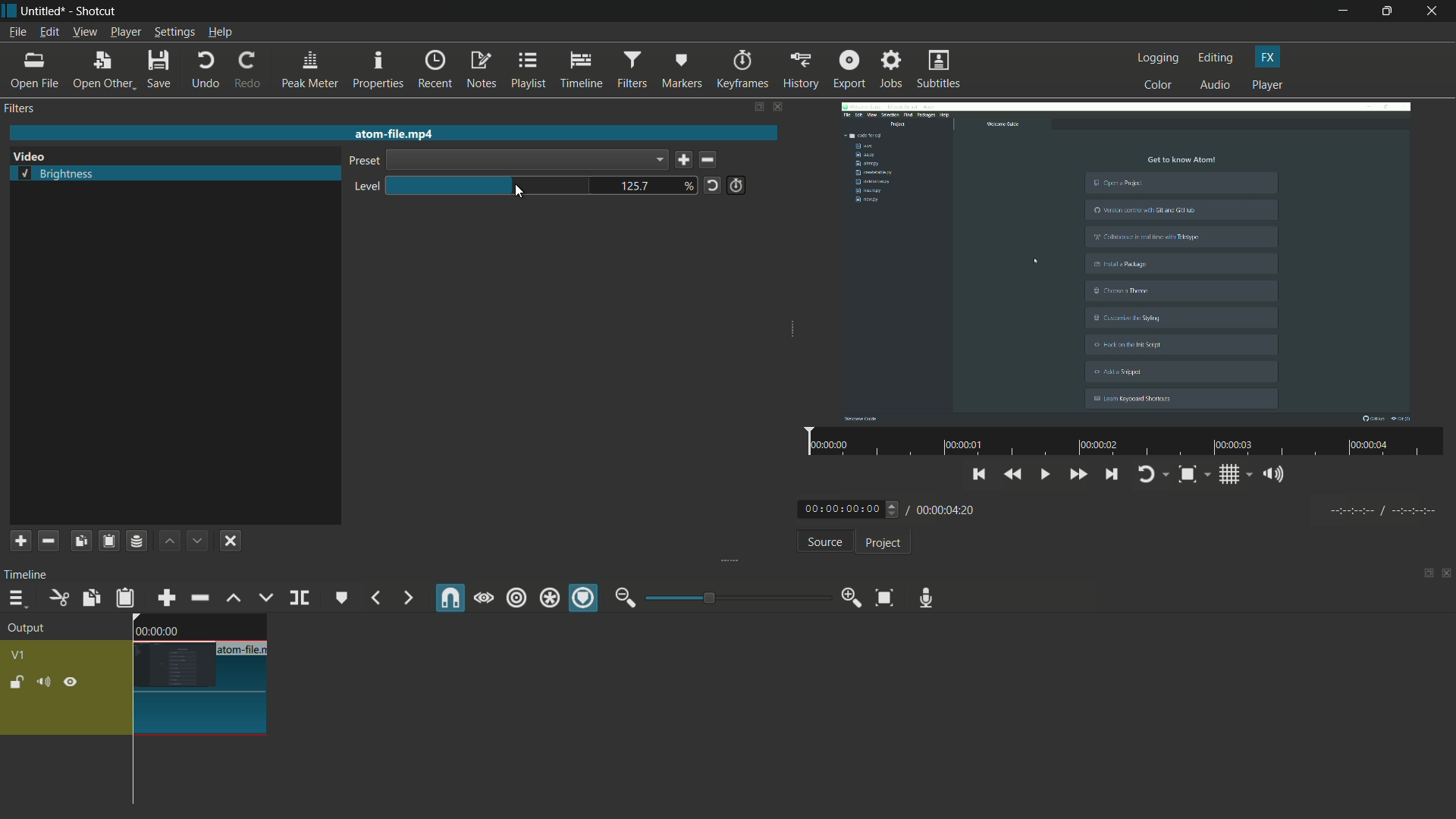 Image resolution: width=1456 pixels, height=819 pixels. I want to click on zoom timeline to fit, so click(884, 597).